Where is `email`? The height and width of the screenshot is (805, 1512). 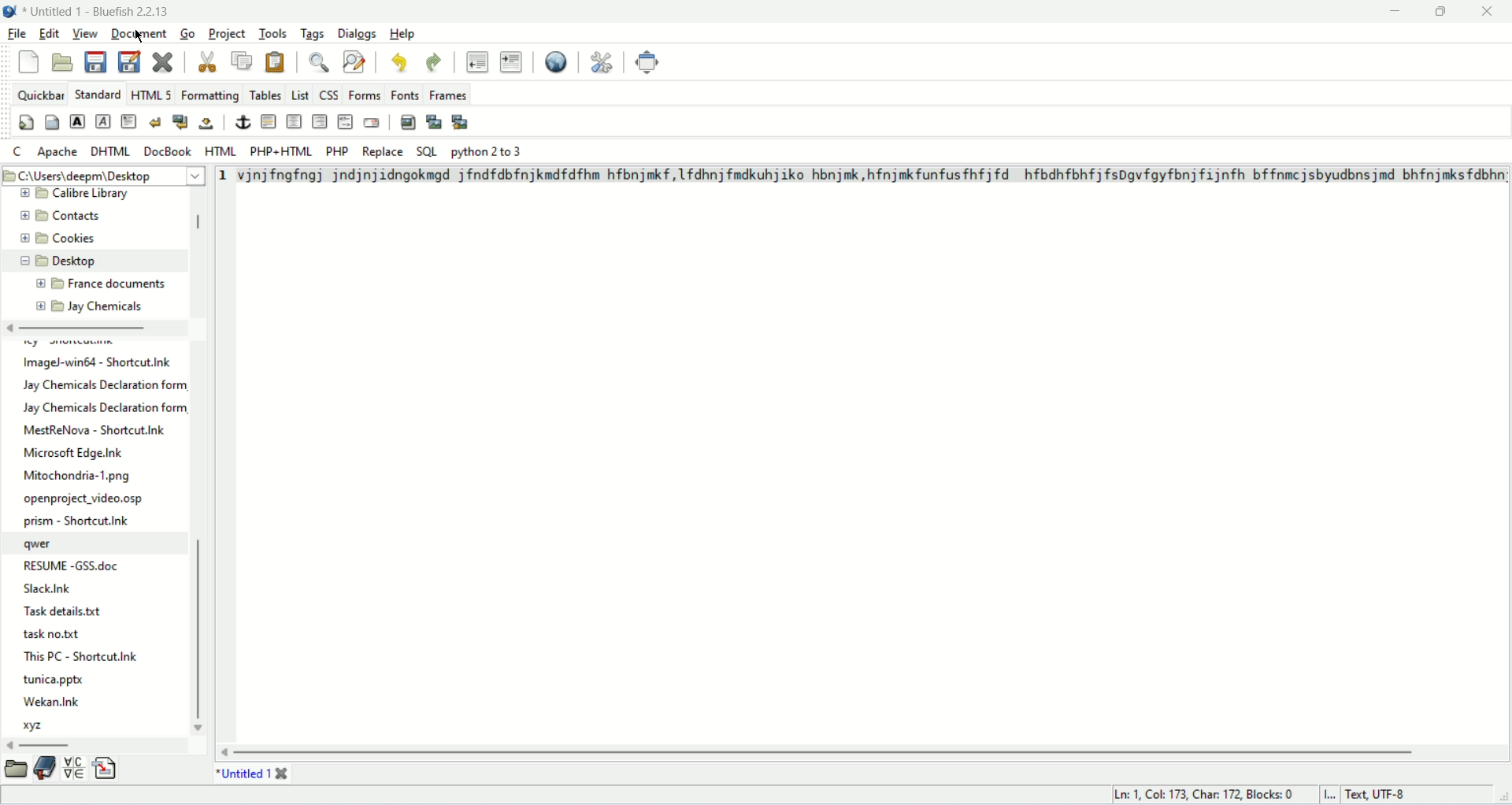
email is located at coordinates (371, 122).